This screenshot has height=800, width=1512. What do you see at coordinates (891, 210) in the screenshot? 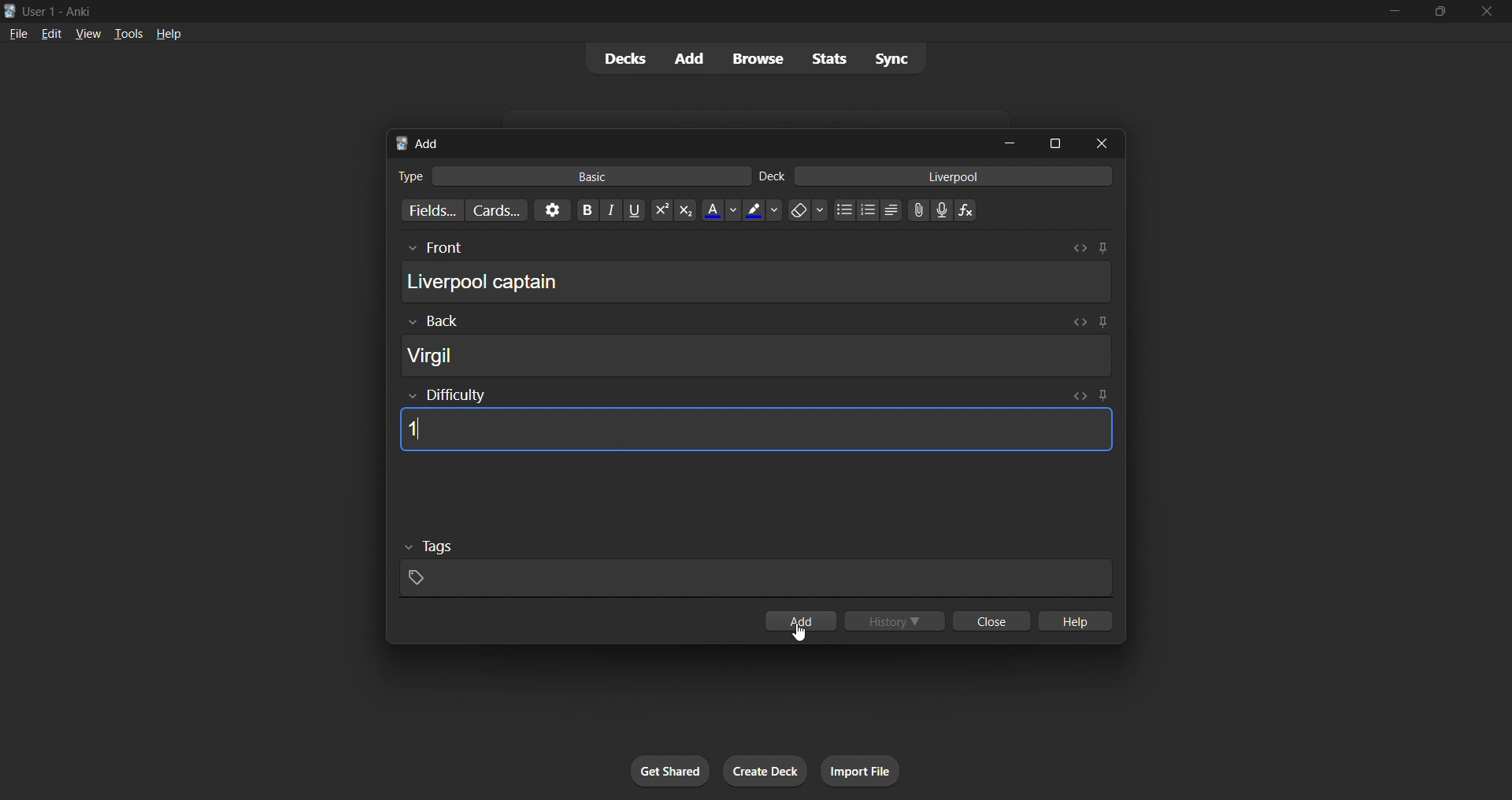
I see `Alignment` at bounding box center [891, 210].